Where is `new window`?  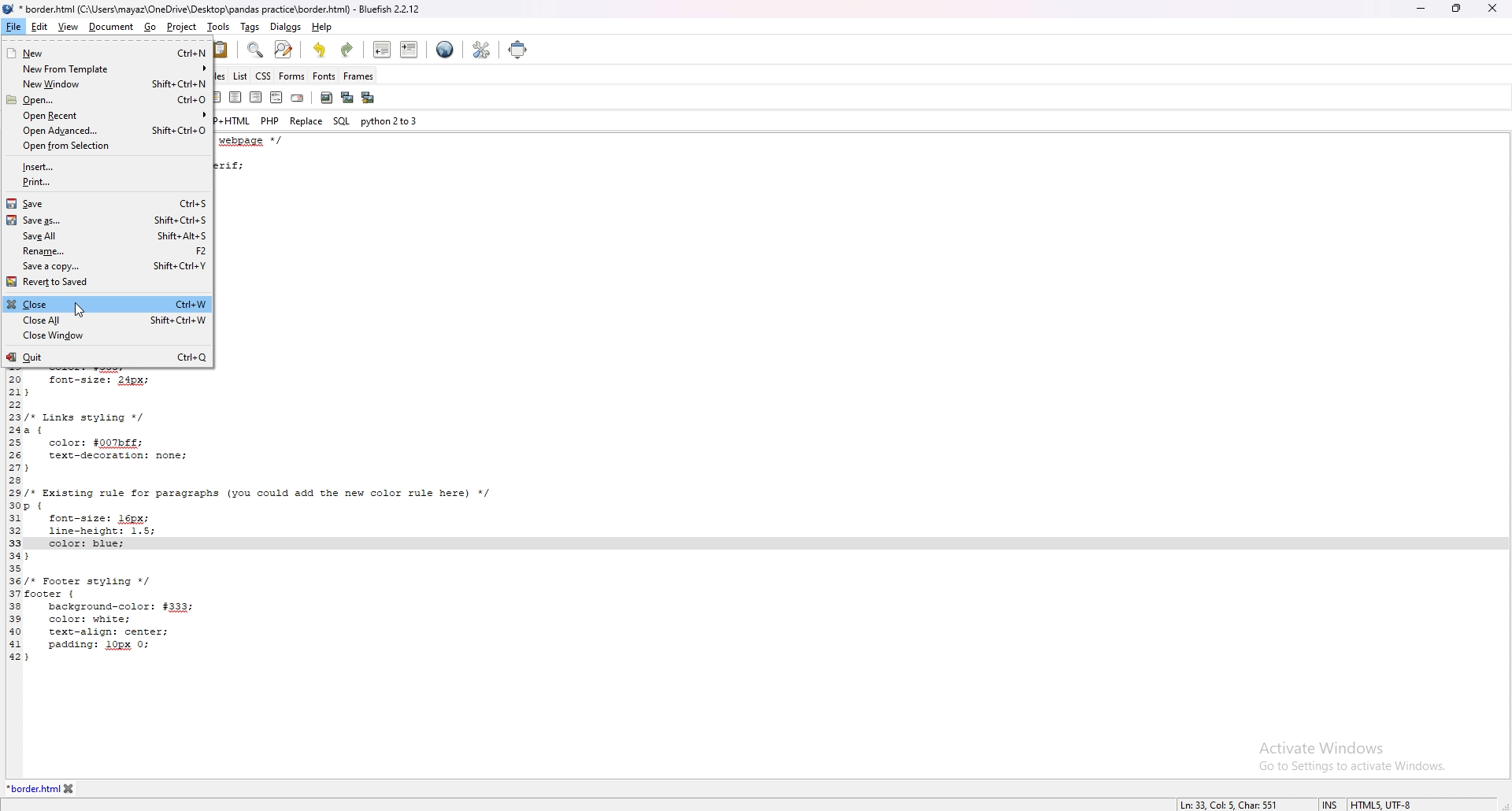
new window is located at coordinates (108, 85).